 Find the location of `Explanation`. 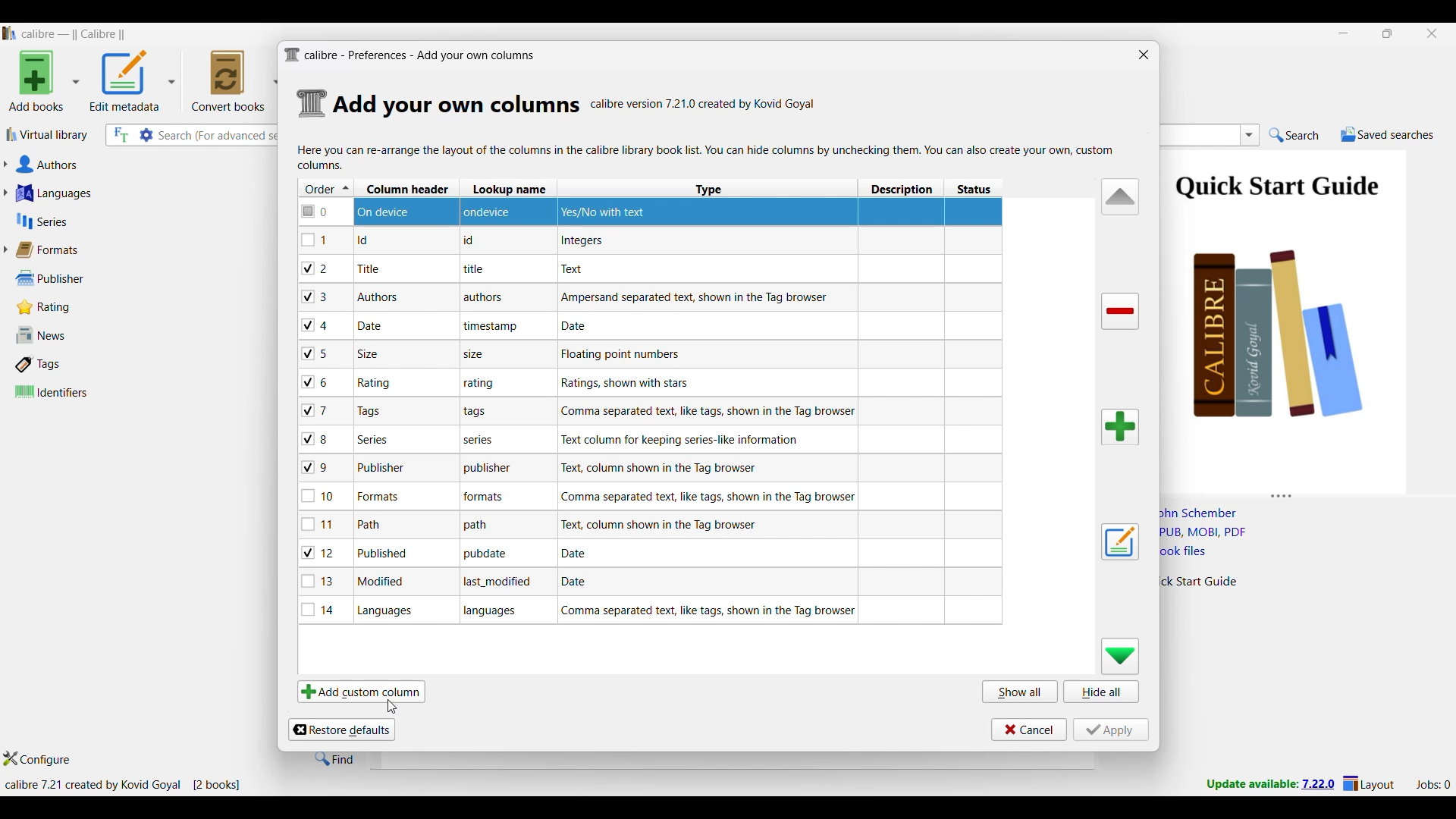

Explanation is located at coordinates (664, 525).